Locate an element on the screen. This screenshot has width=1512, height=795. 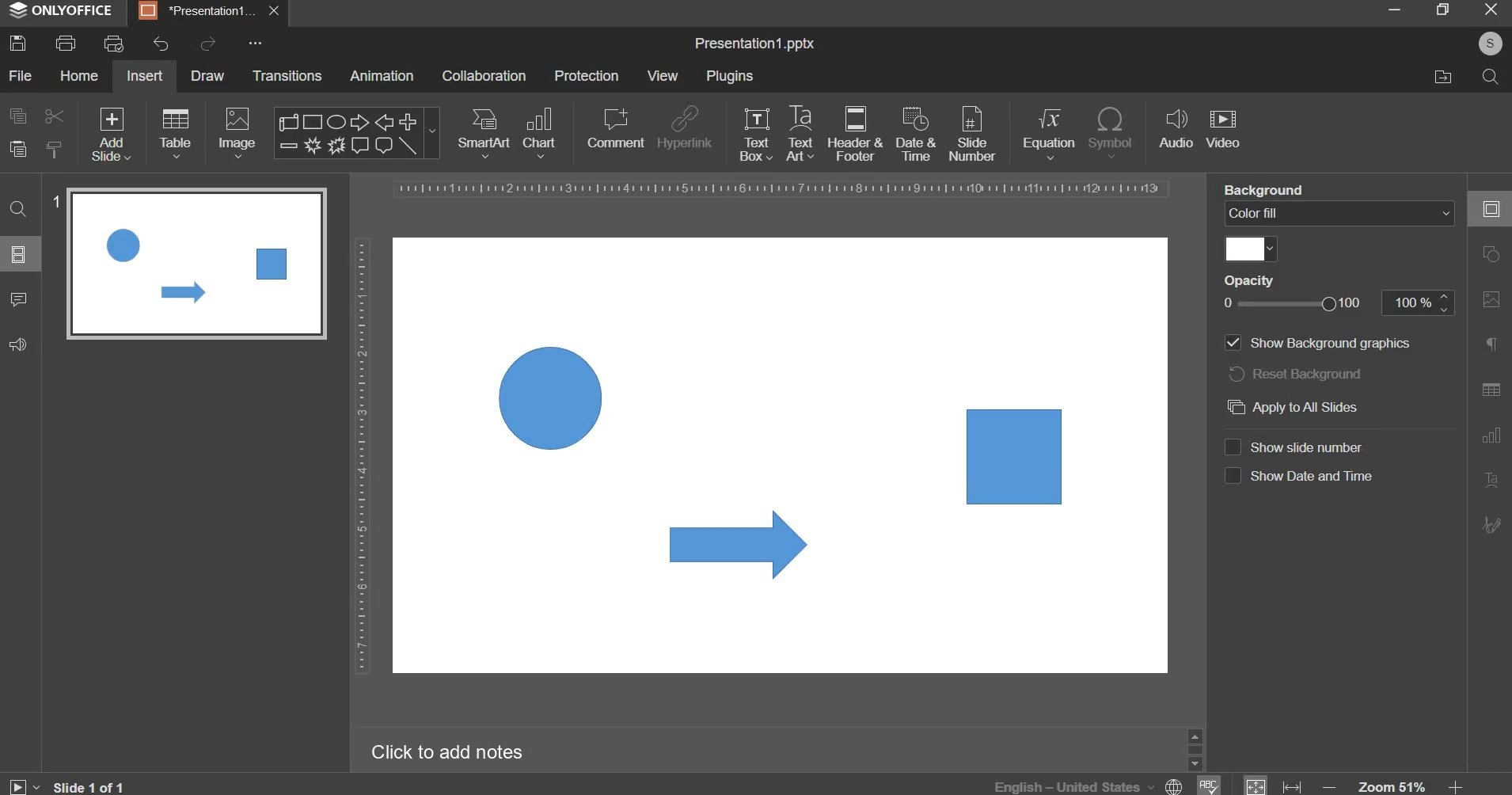
Slide1 of 1 is located at coordinates (88, 786).